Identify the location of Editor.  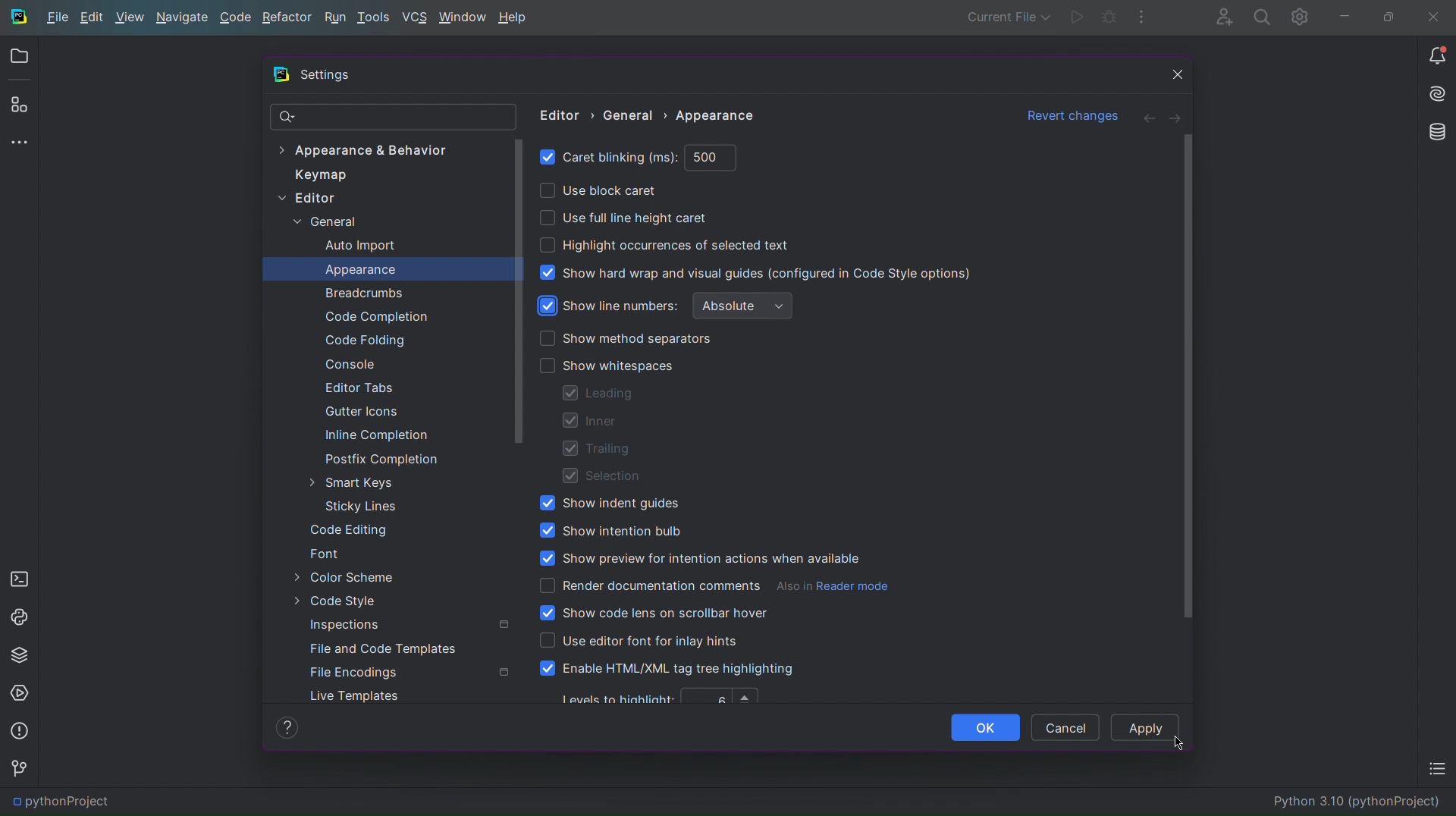
(313, 200).